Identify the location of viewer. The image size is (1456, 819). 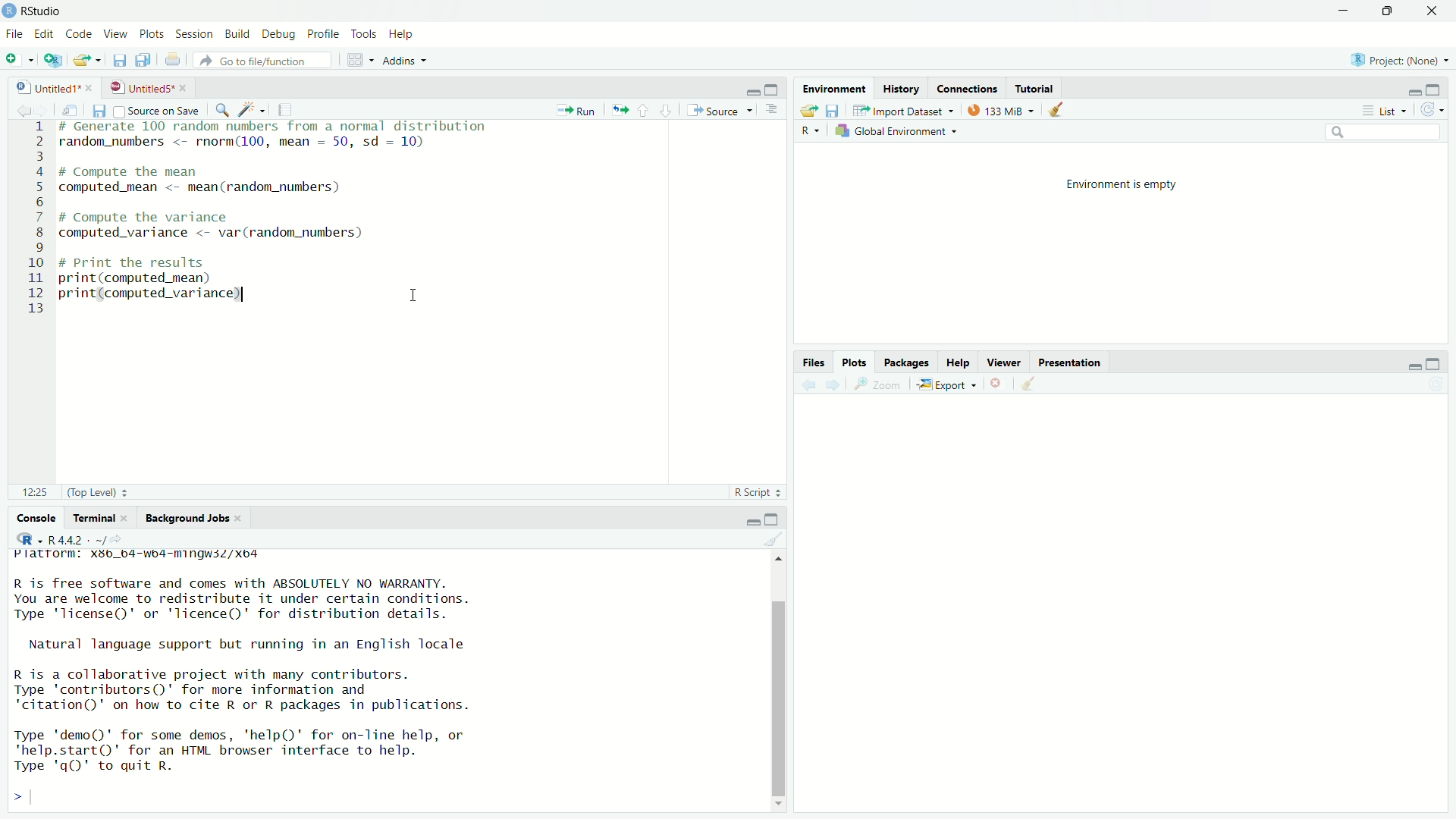
(1006, 361).